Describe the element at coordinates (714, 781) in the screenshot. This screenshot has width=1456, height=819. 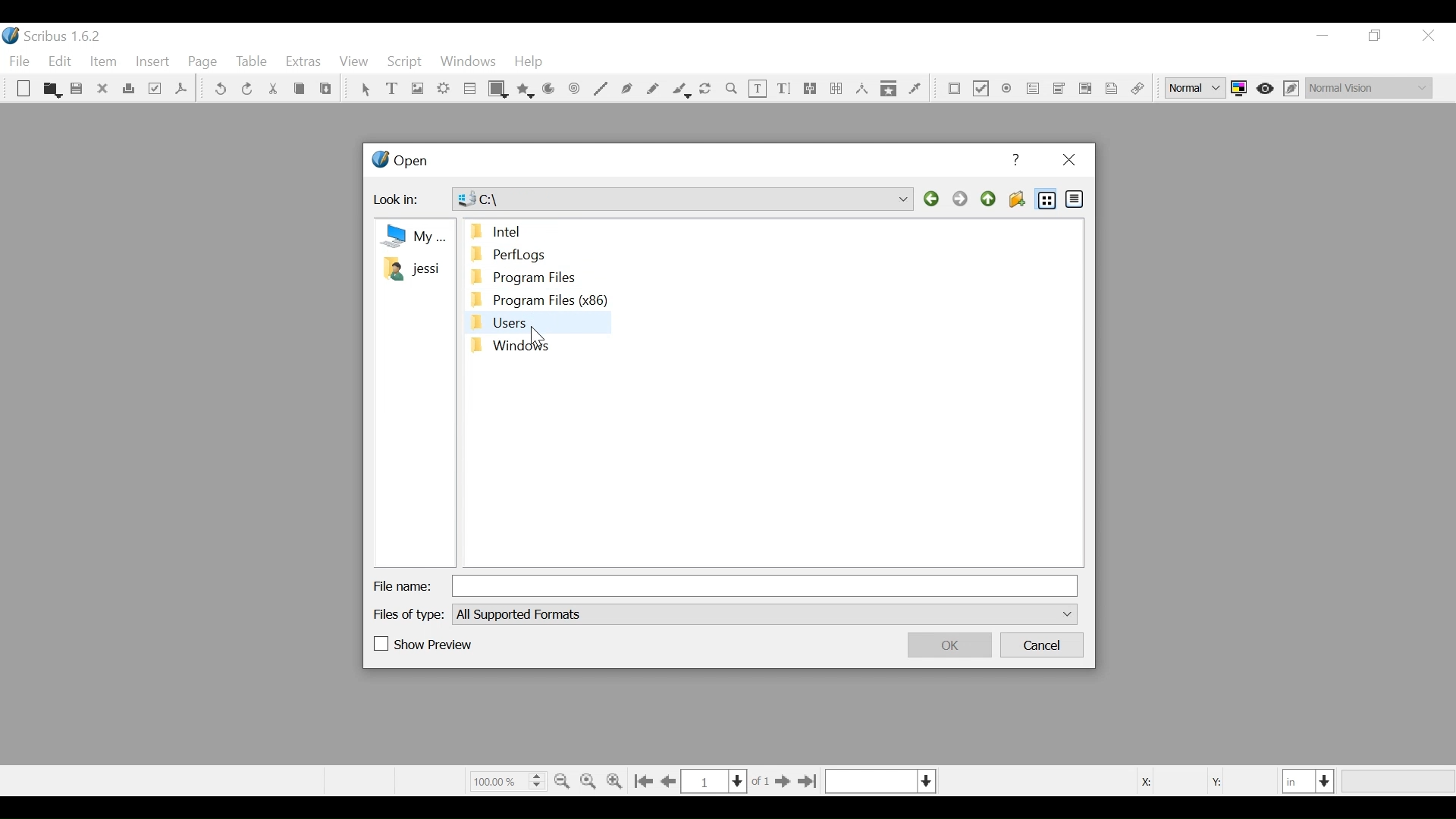
I see `Current Page` at that location.